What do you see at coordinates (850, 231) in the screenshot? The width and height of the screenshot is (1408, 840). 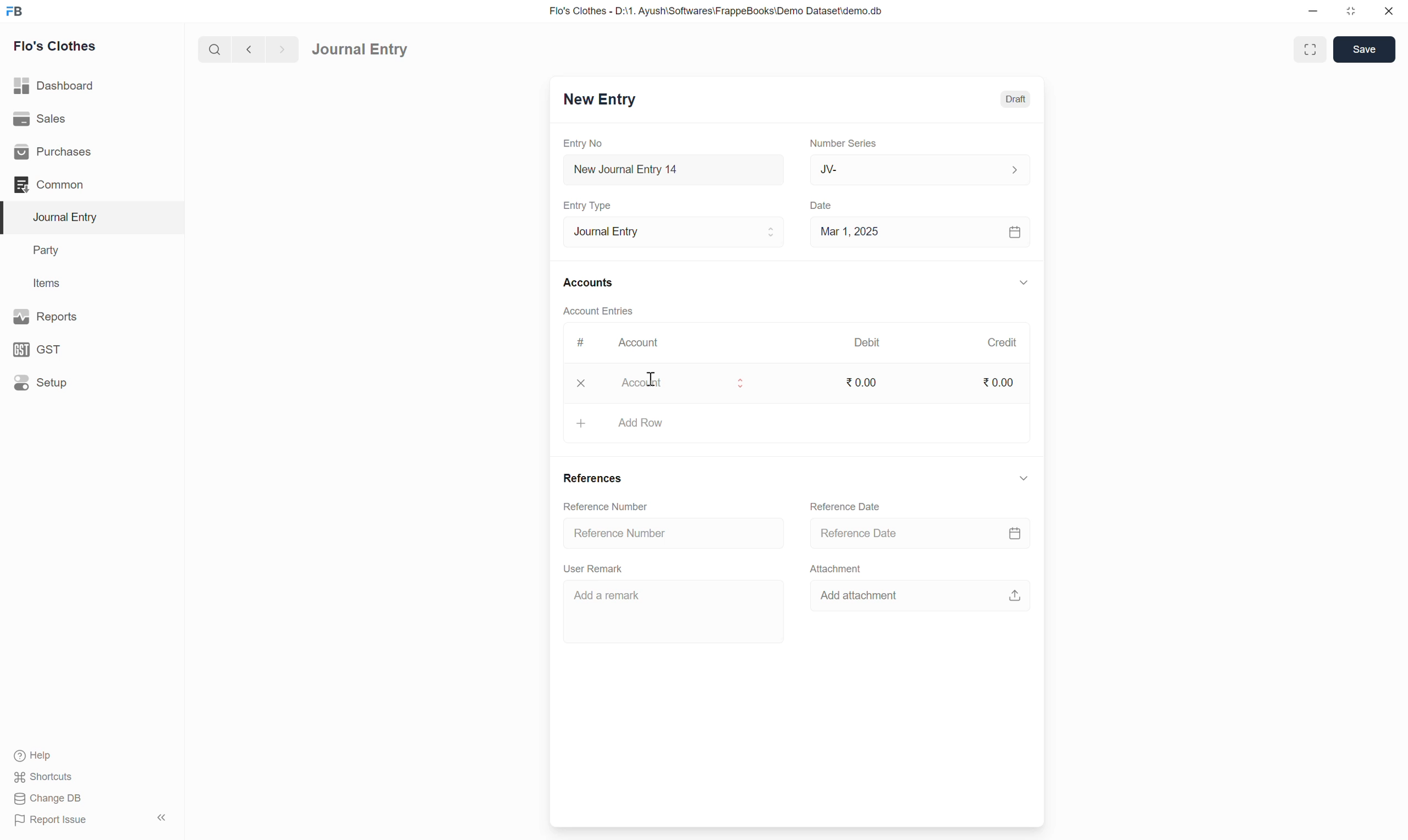 I see `Mar 1, 2025` at bounding box center [850, 231].